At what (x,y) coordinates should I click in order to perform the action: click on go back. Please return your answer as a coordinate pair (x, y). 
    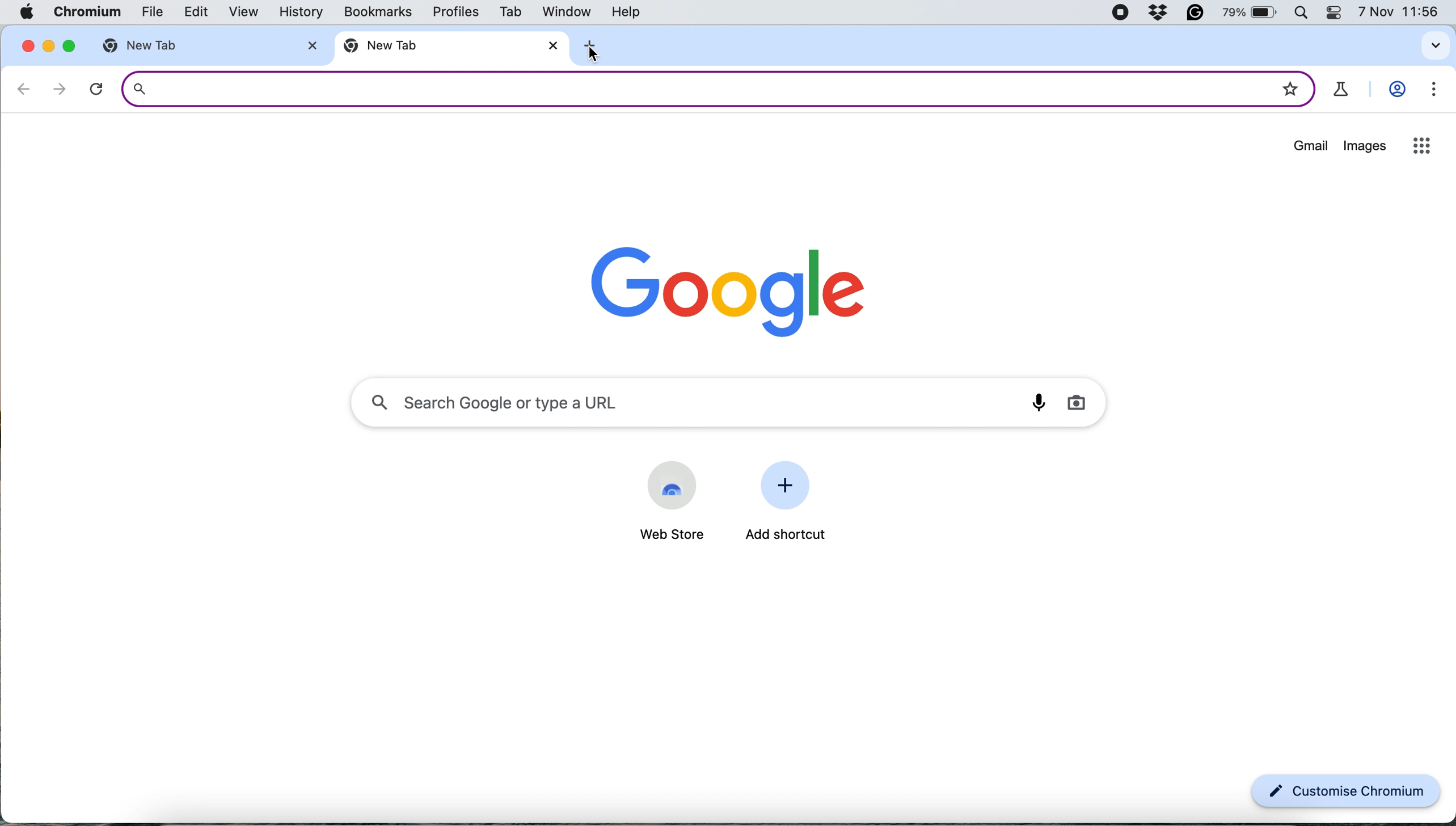
    Looking at the image, I should click on (24, 88).